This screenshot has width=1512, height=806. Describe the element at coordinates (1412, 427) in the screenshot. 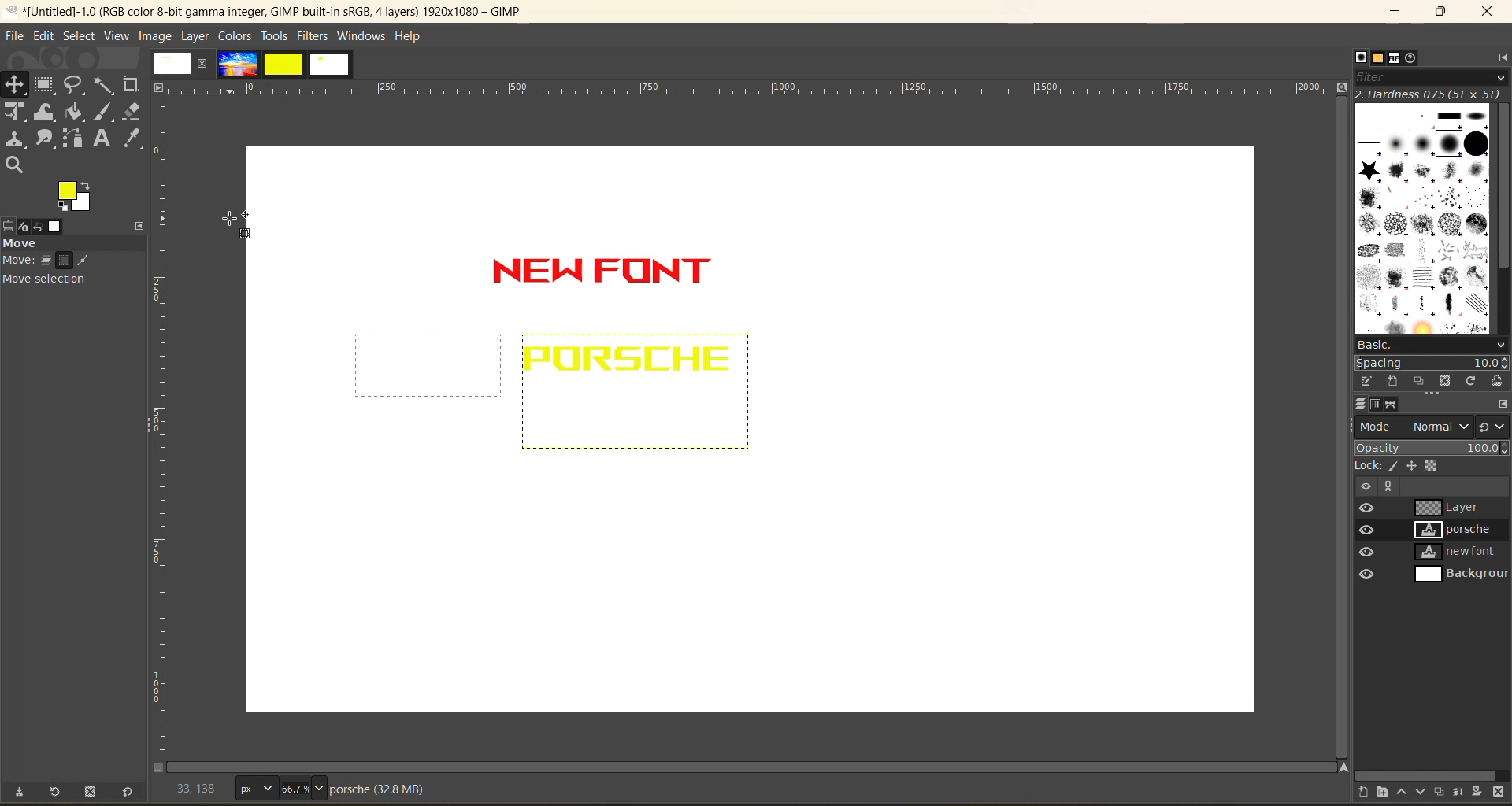

I see `mode` at that location.